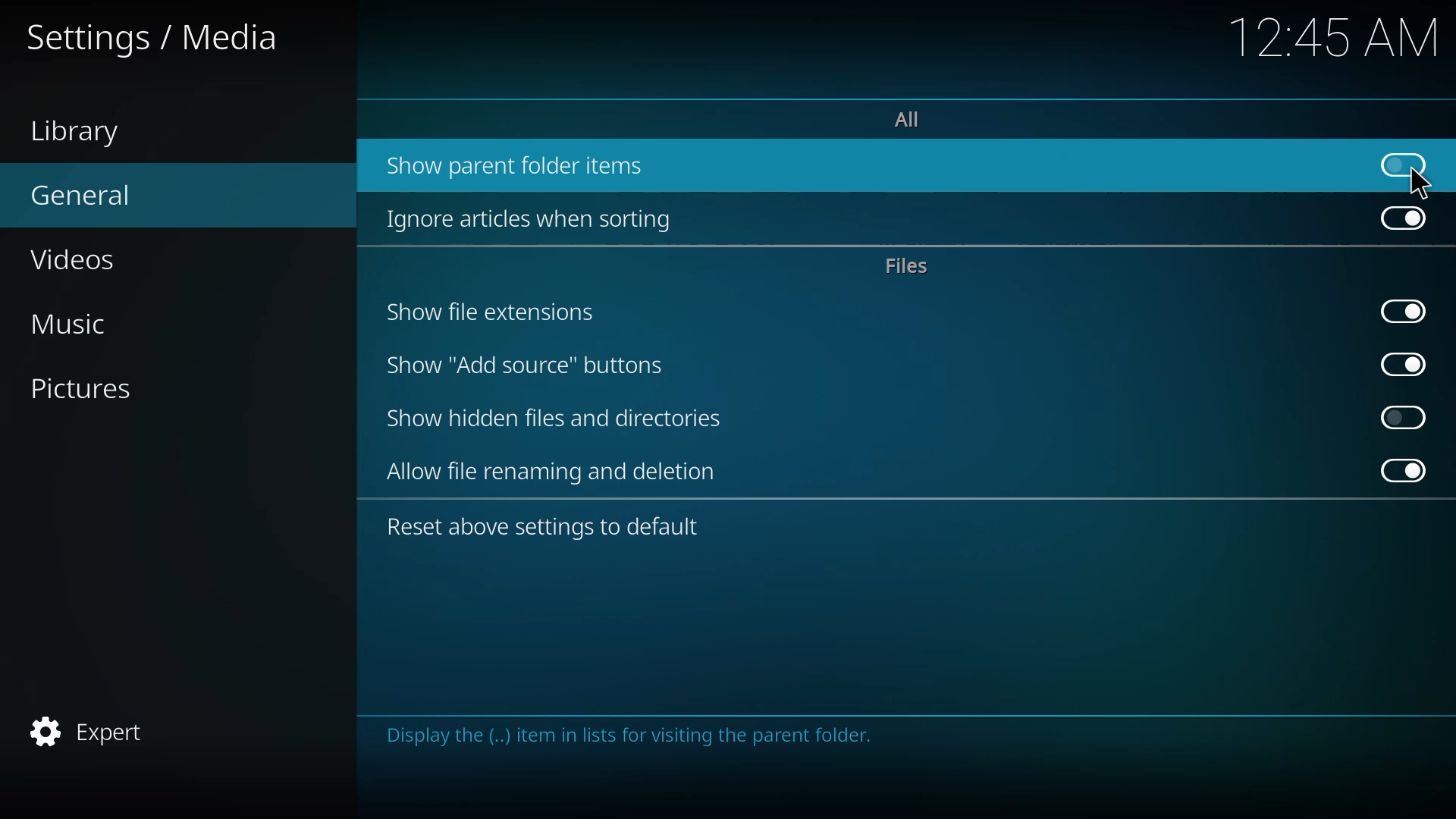  I want to click on show hidden files and directories, so click(552, 419).